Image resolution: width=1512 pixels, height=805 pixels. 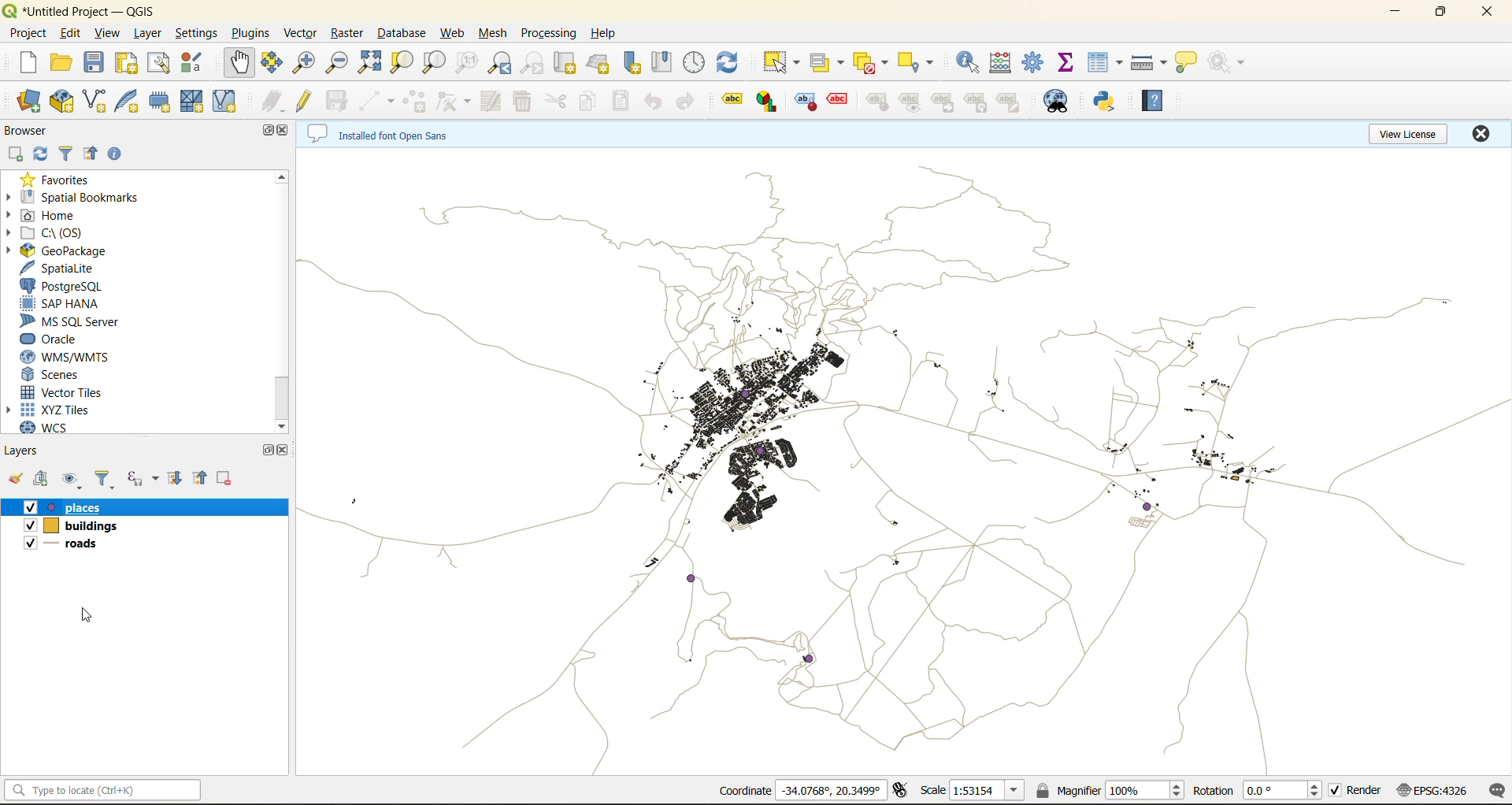 I want to click on label tool, so click(x=909, y=102).